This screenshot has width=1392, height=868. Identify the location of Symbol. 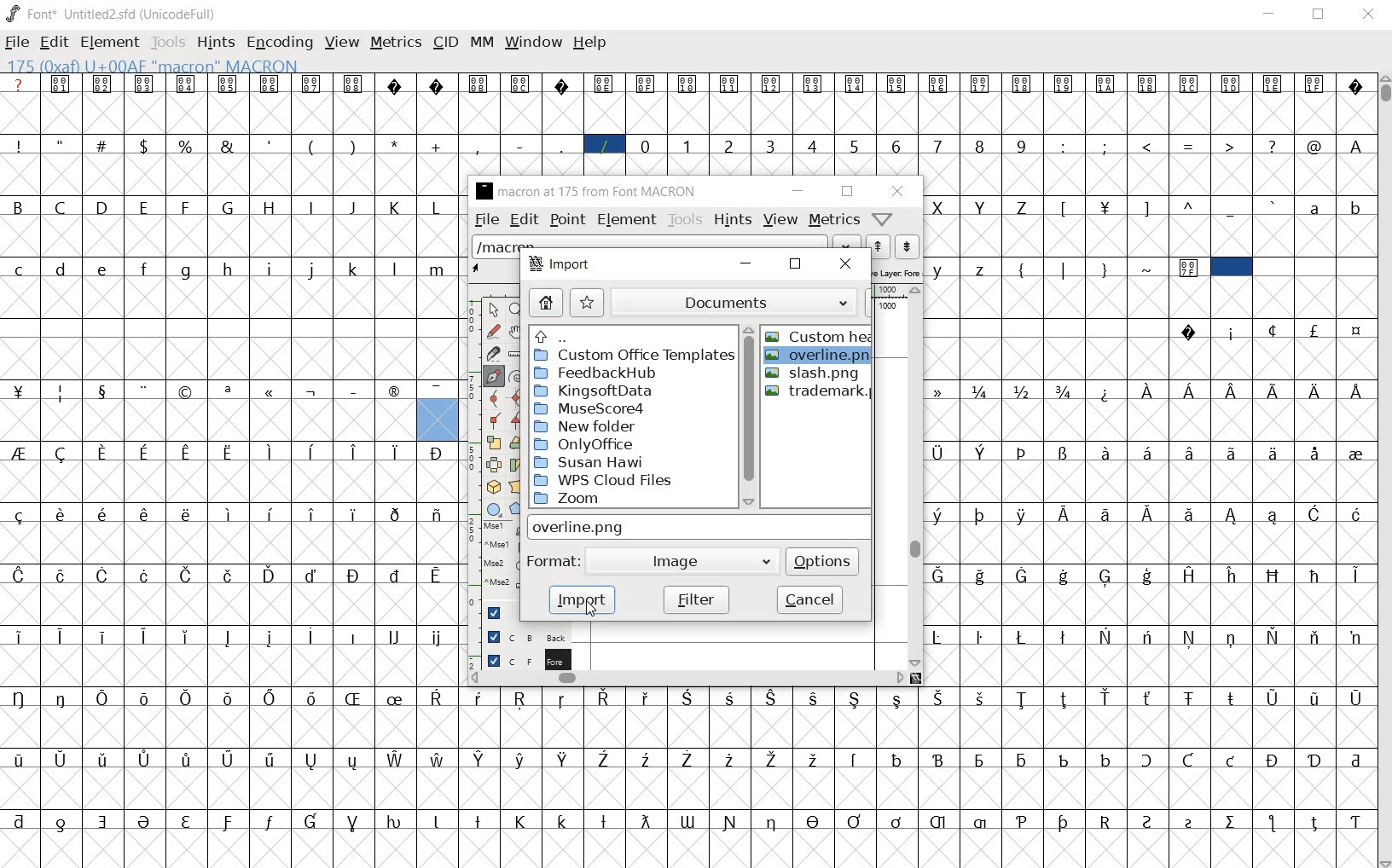
(731, 83).